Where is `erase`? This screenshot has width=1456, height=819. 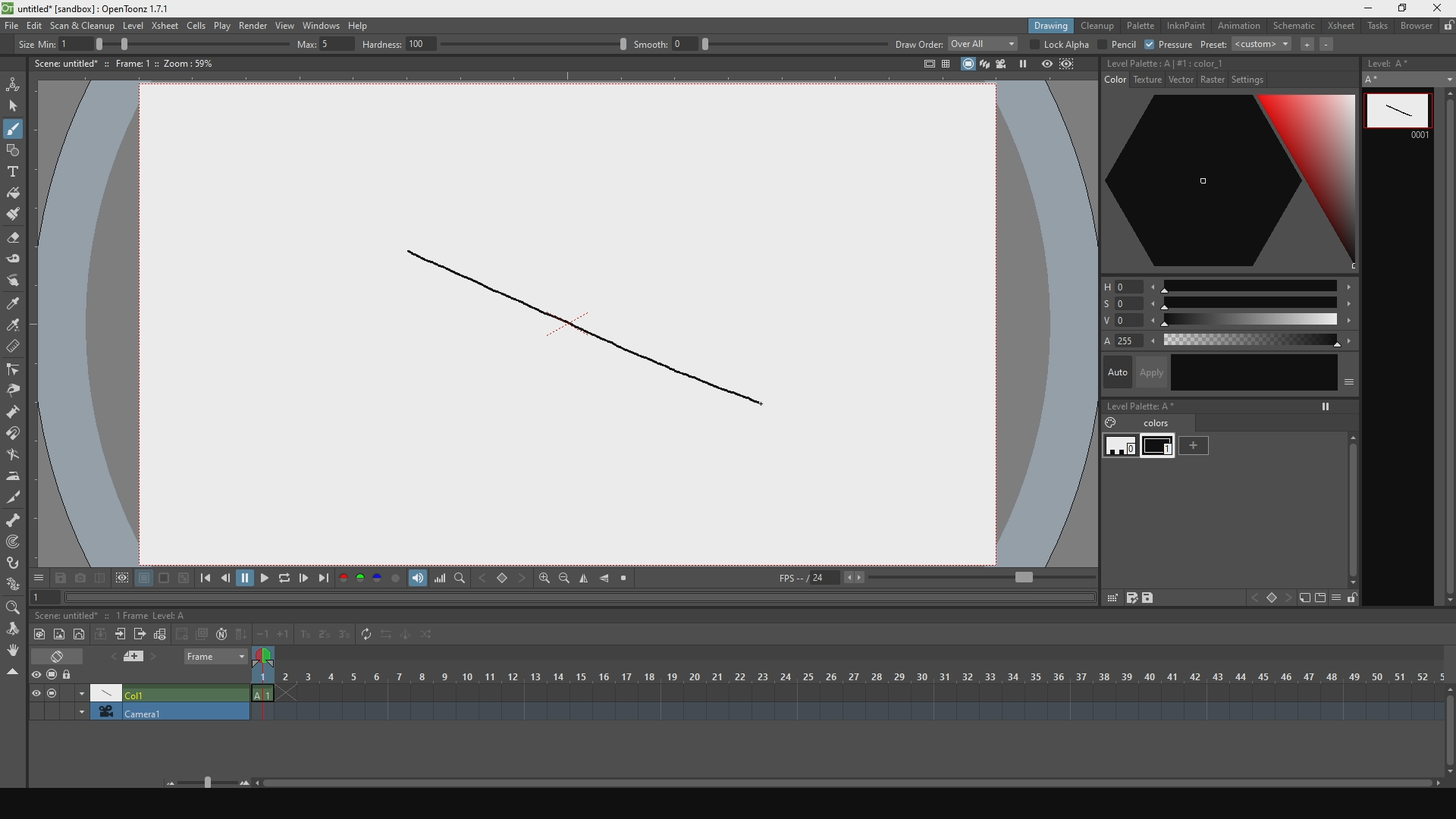
erase is located at coordinates (14, 238).